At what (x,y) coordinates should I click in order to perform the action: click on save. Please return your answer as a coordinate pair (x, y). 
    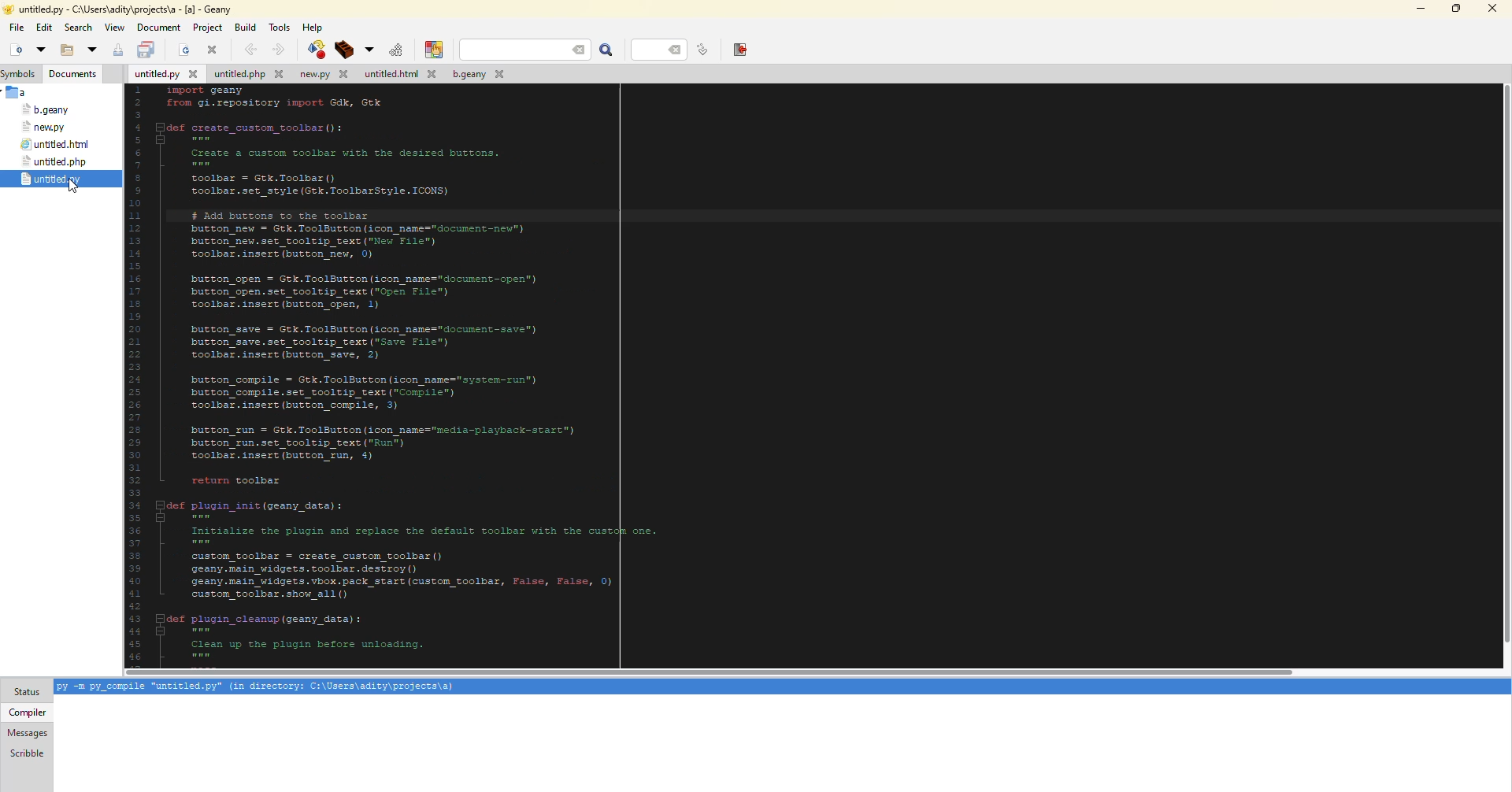
    Looking at the image, I should click on (147, 50).